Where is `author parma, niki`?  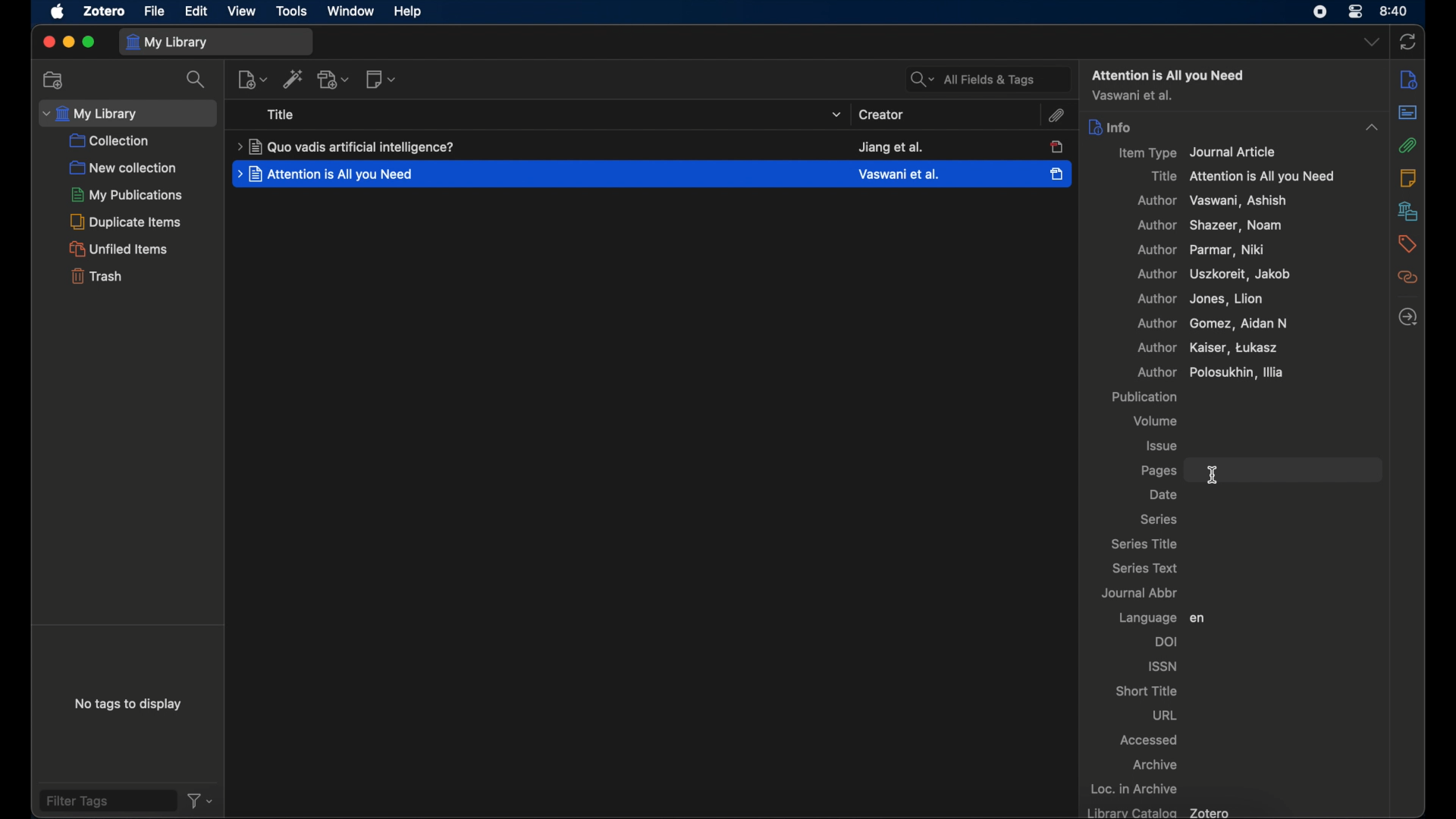
author parma, niki is located at coordinates (1207, 250).